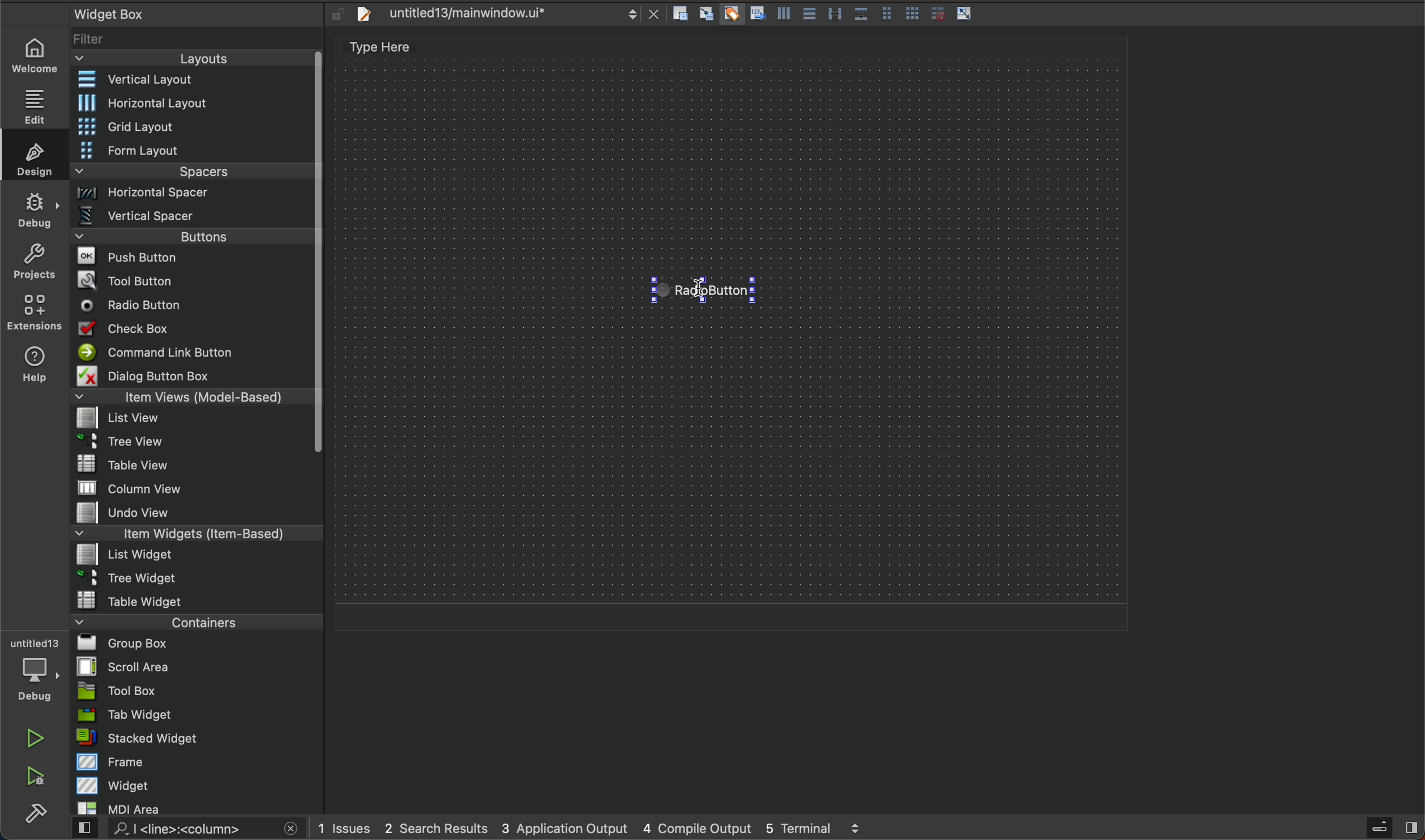 This screenshot has height=840, width=1425. What do you see at coordinates (40, 55) in the screenshot?
I see `home` at bounding box center [40, 55].